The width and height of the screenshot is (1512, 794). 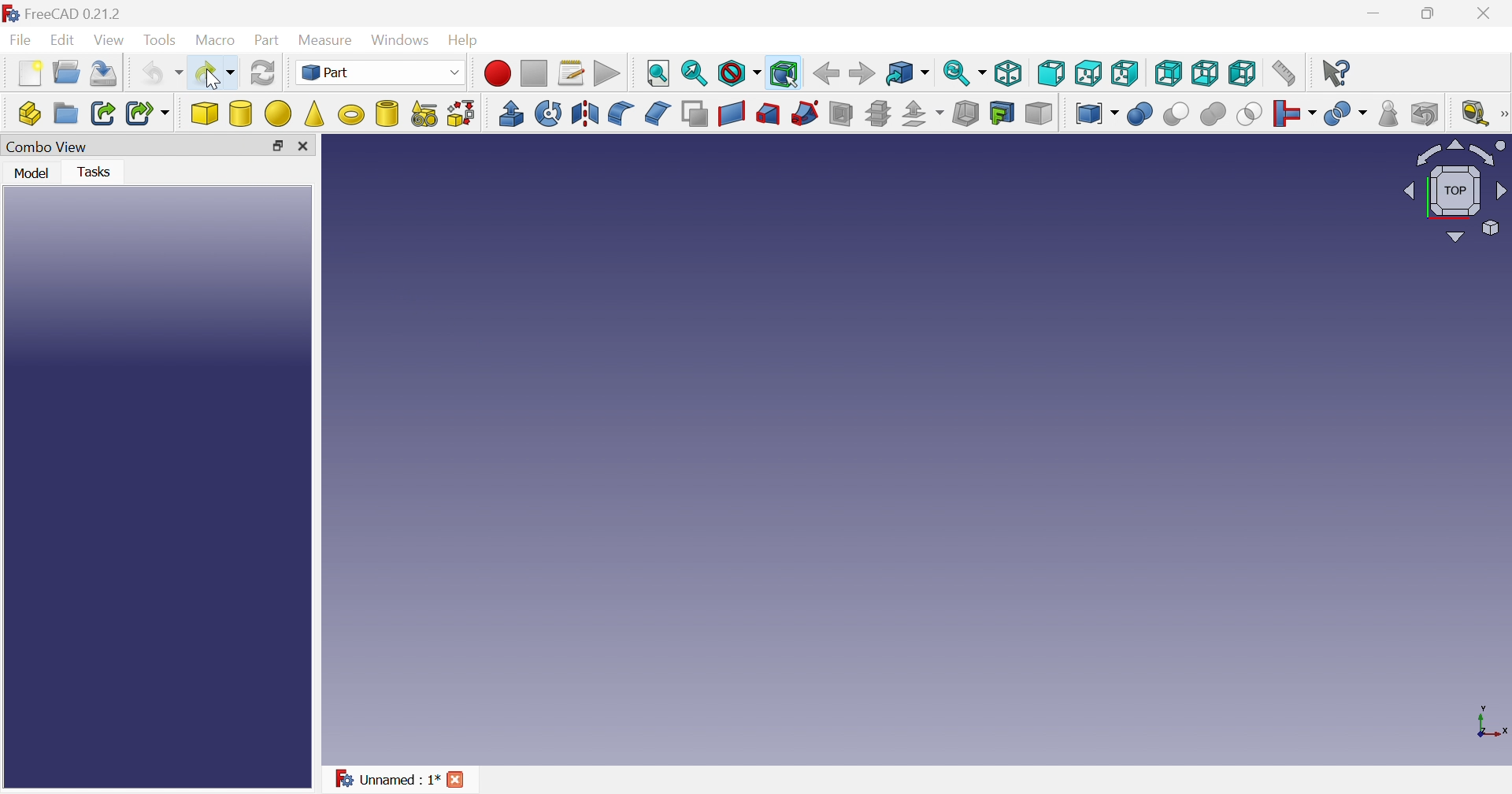 I want to click on Close, so click(x=458, y=779).